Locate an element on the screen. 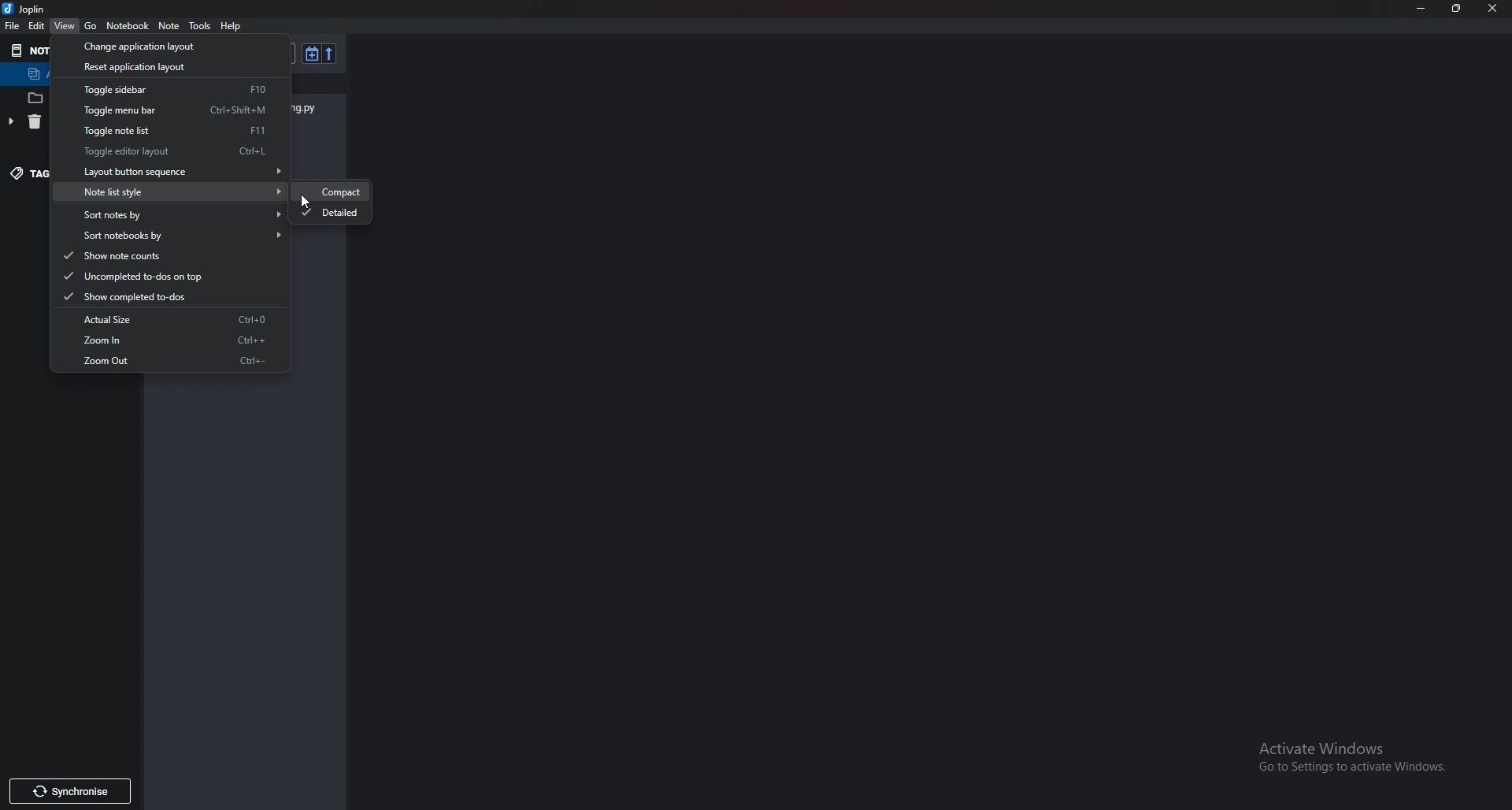 Image resolution: width=1512 pixels, height=810 pixels. Synchronize is located at coordinates (69, 793).